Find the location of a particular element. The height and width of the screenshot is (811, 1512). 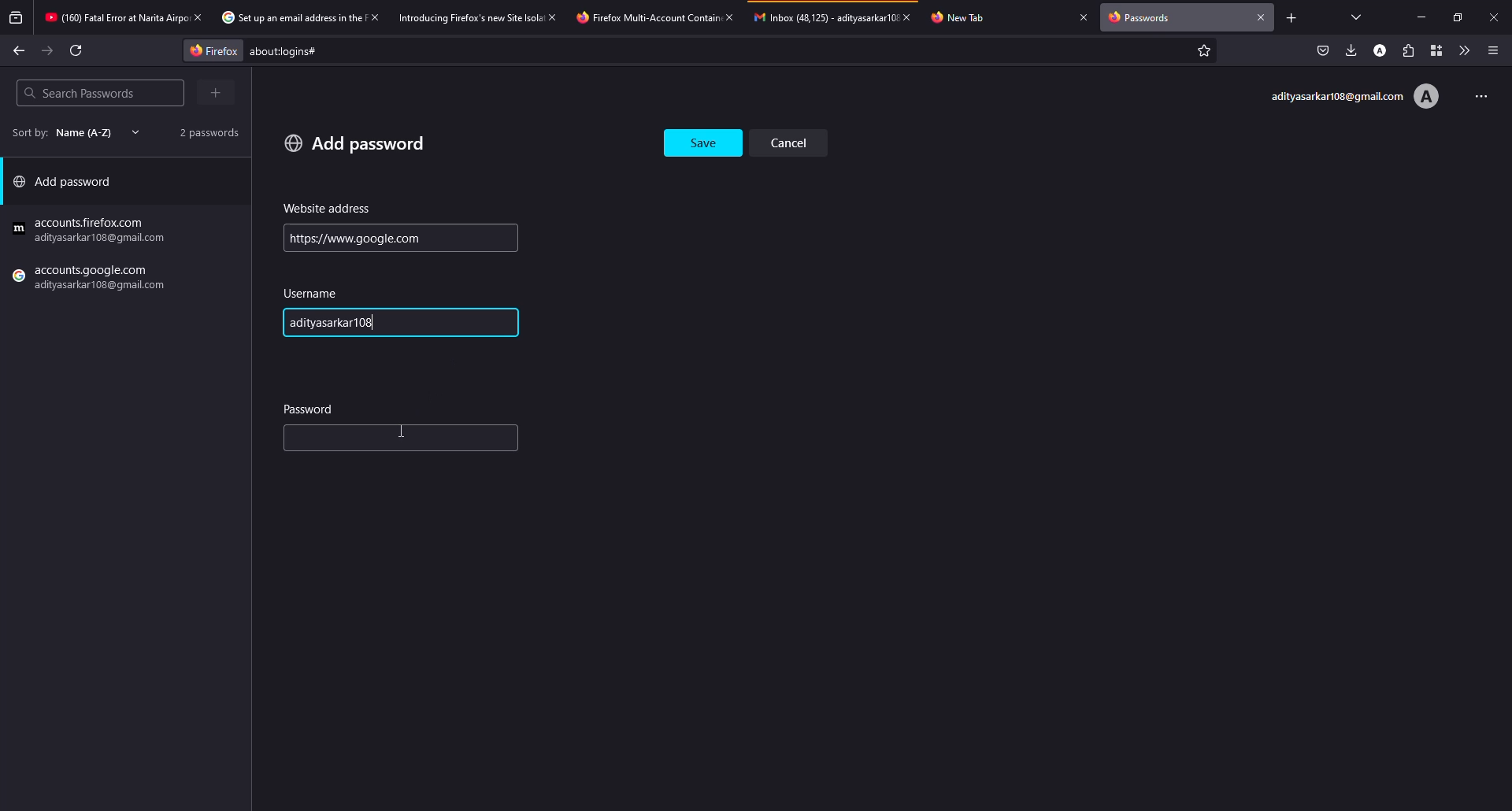

tab is located at coordinates (966, 17).